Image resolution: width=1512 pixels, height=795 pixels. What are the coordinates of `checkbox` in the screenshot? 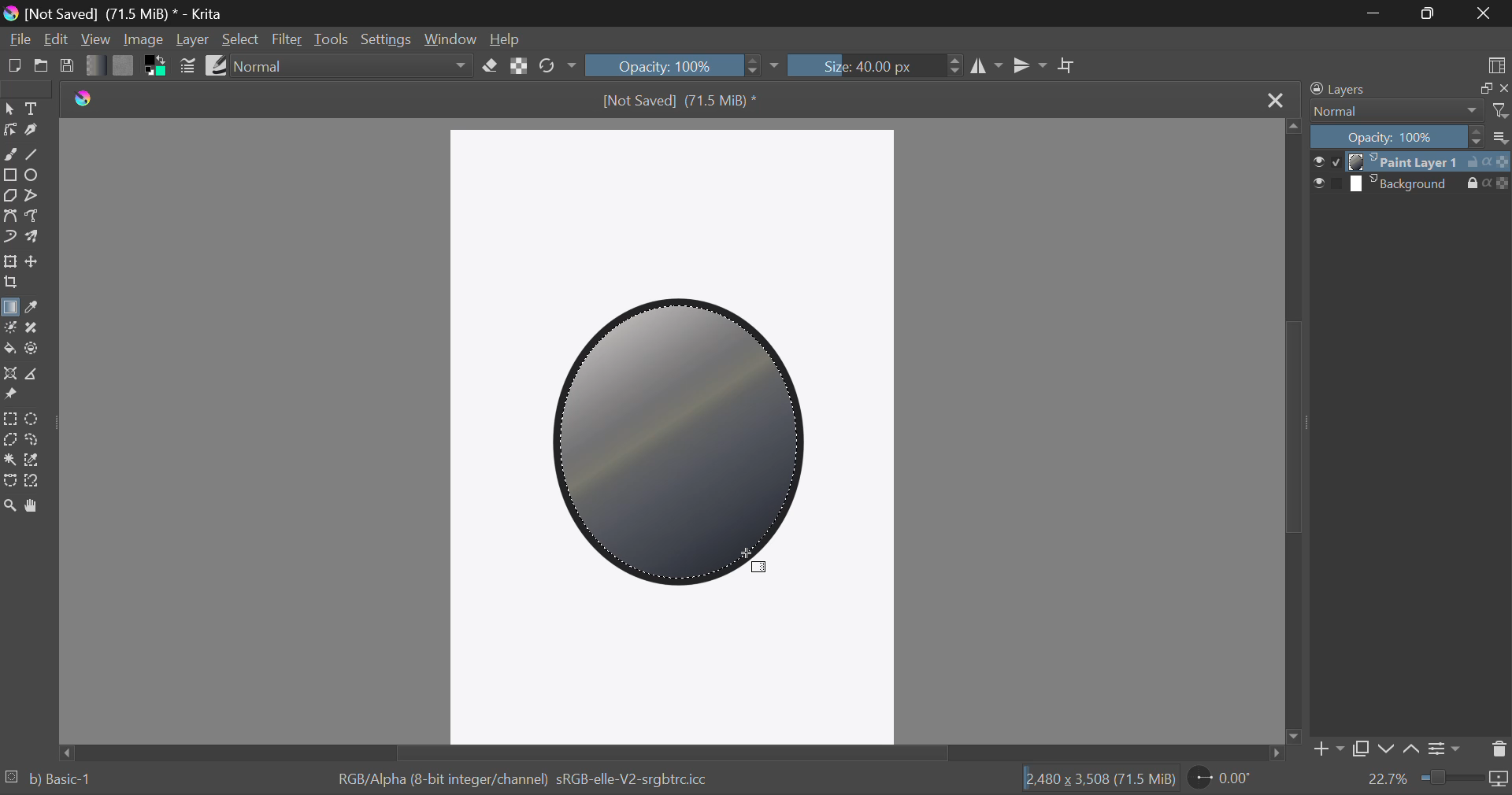 It's located at (1326, 162).